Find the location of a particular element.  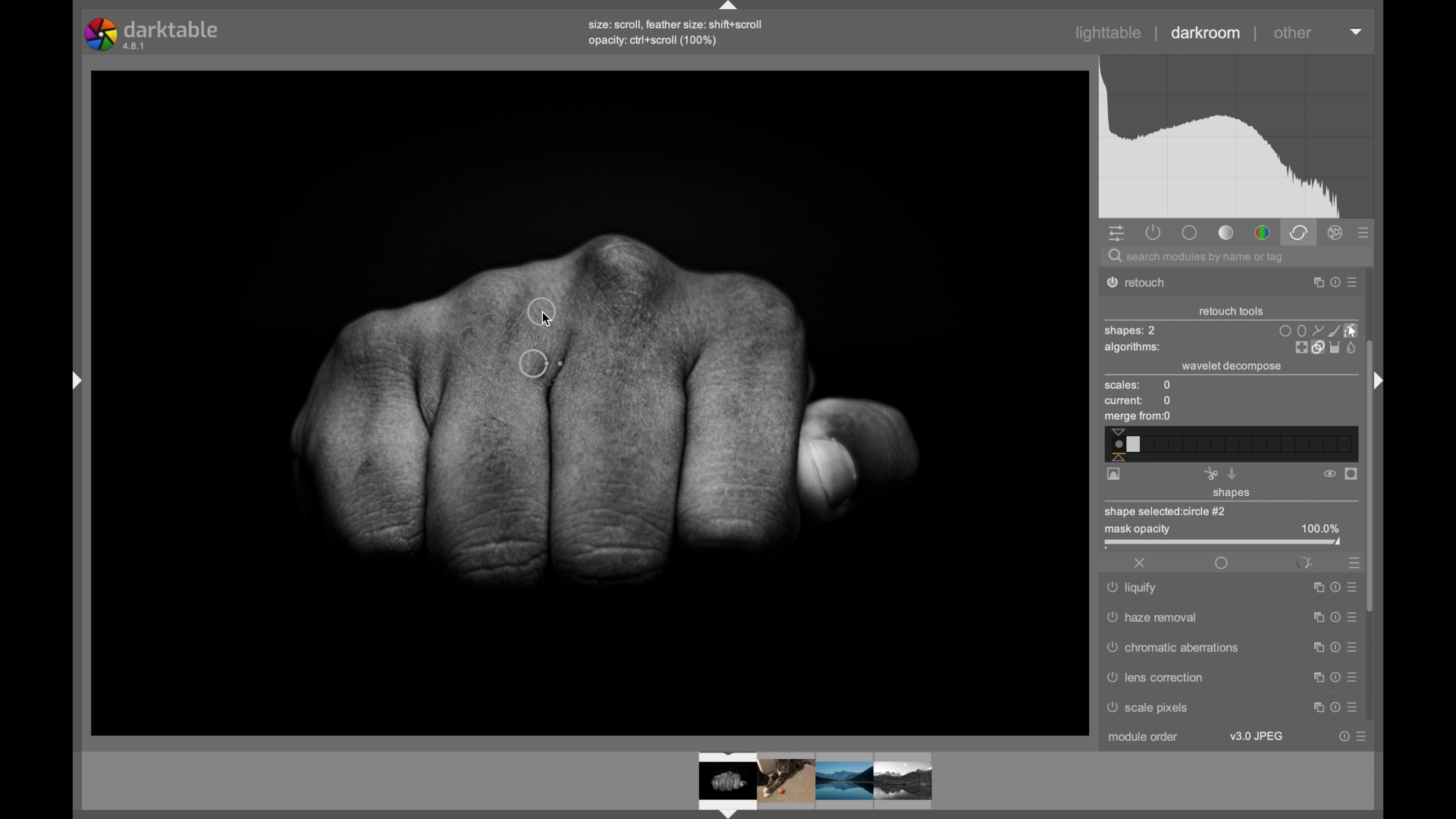

help is located at coordinates (1332, 283).